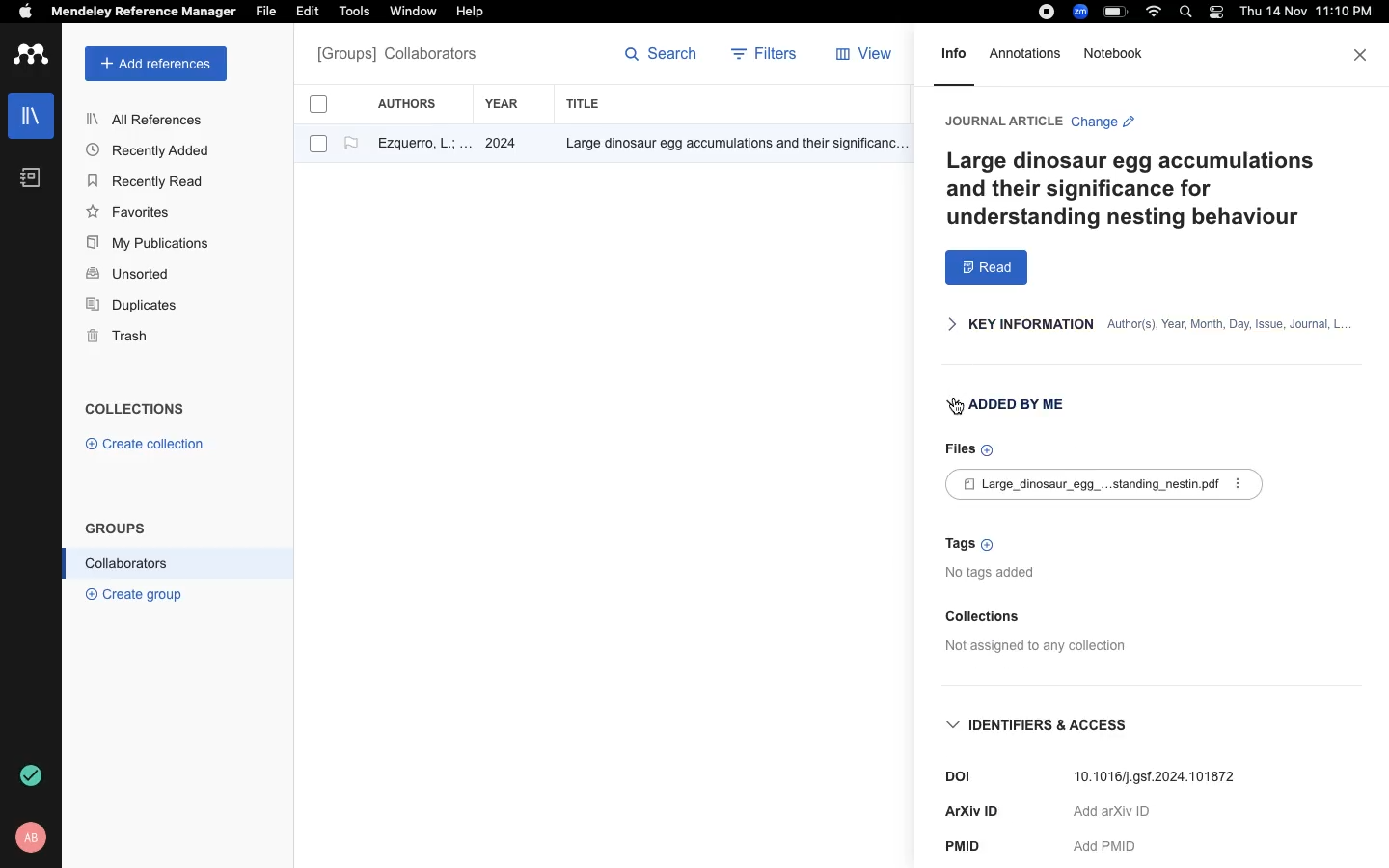 The height and width of the screenshot is (868, 1389). I want to click on ‘Aad arXiv ID, so click(1118, 813).